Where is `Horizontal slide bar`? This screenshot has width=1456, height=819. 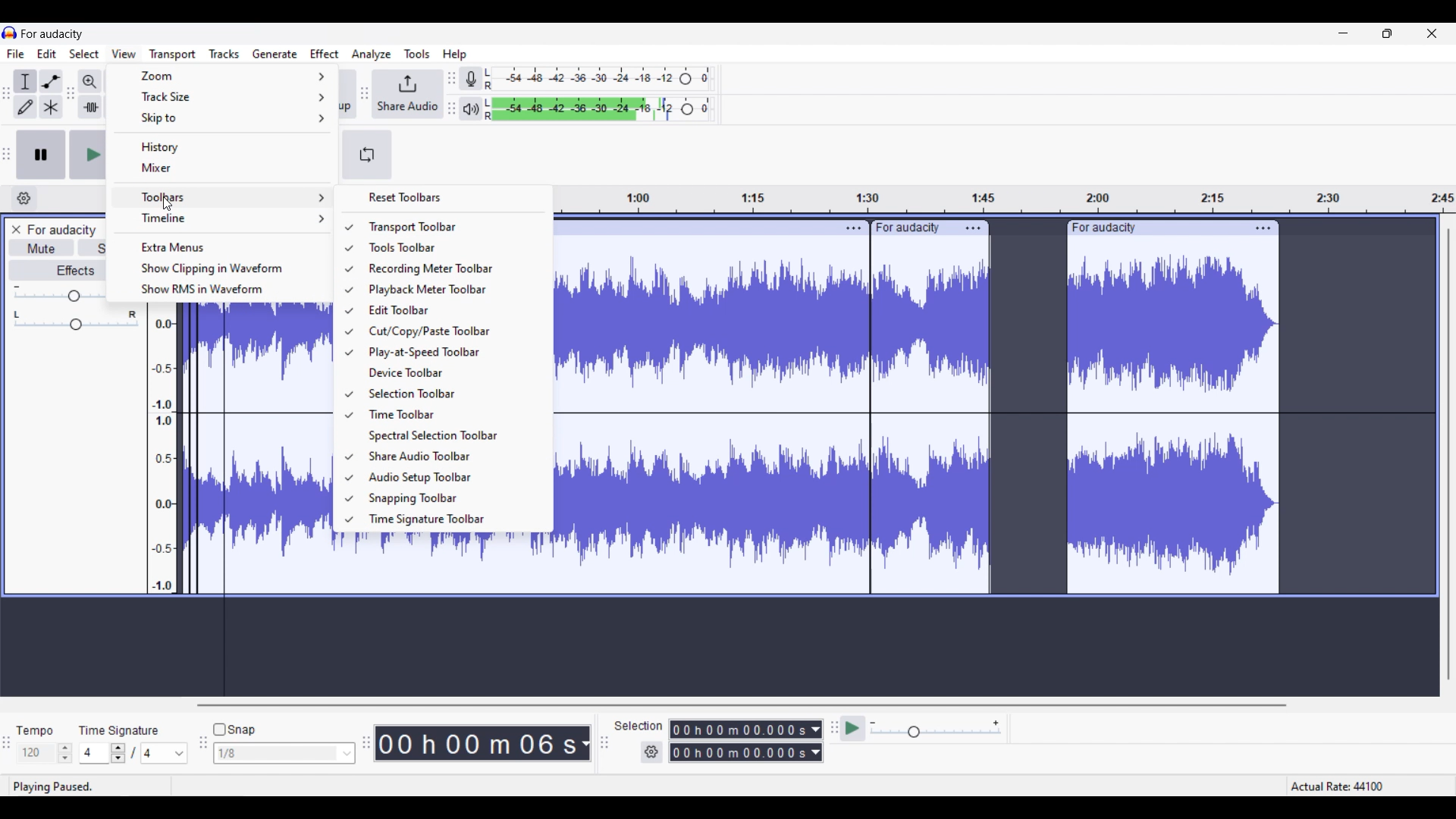 Horizontal slide bar is located at coordinates (739, 705).